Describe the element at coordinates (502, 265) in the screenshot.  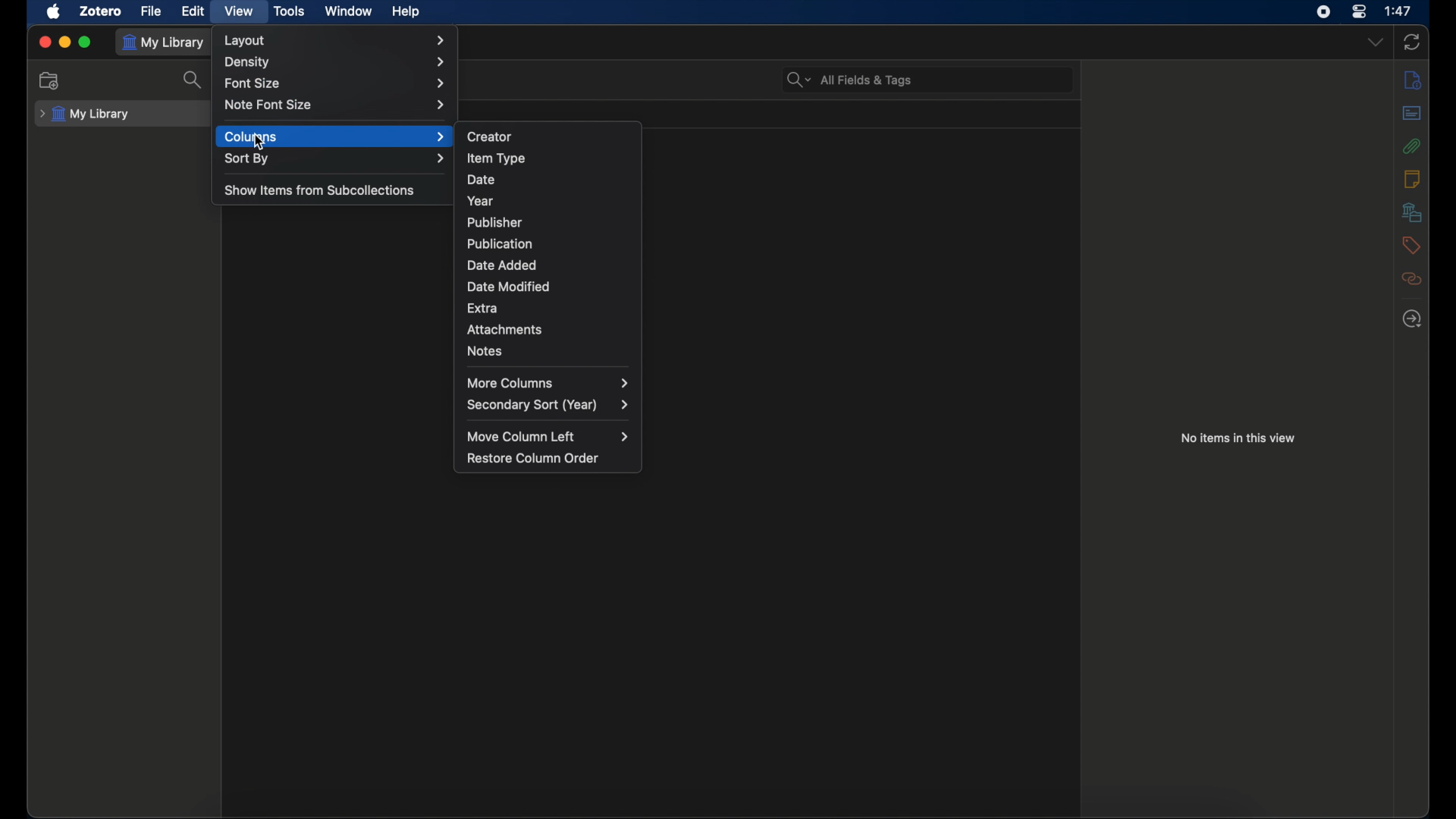
I see `date added` at that location.